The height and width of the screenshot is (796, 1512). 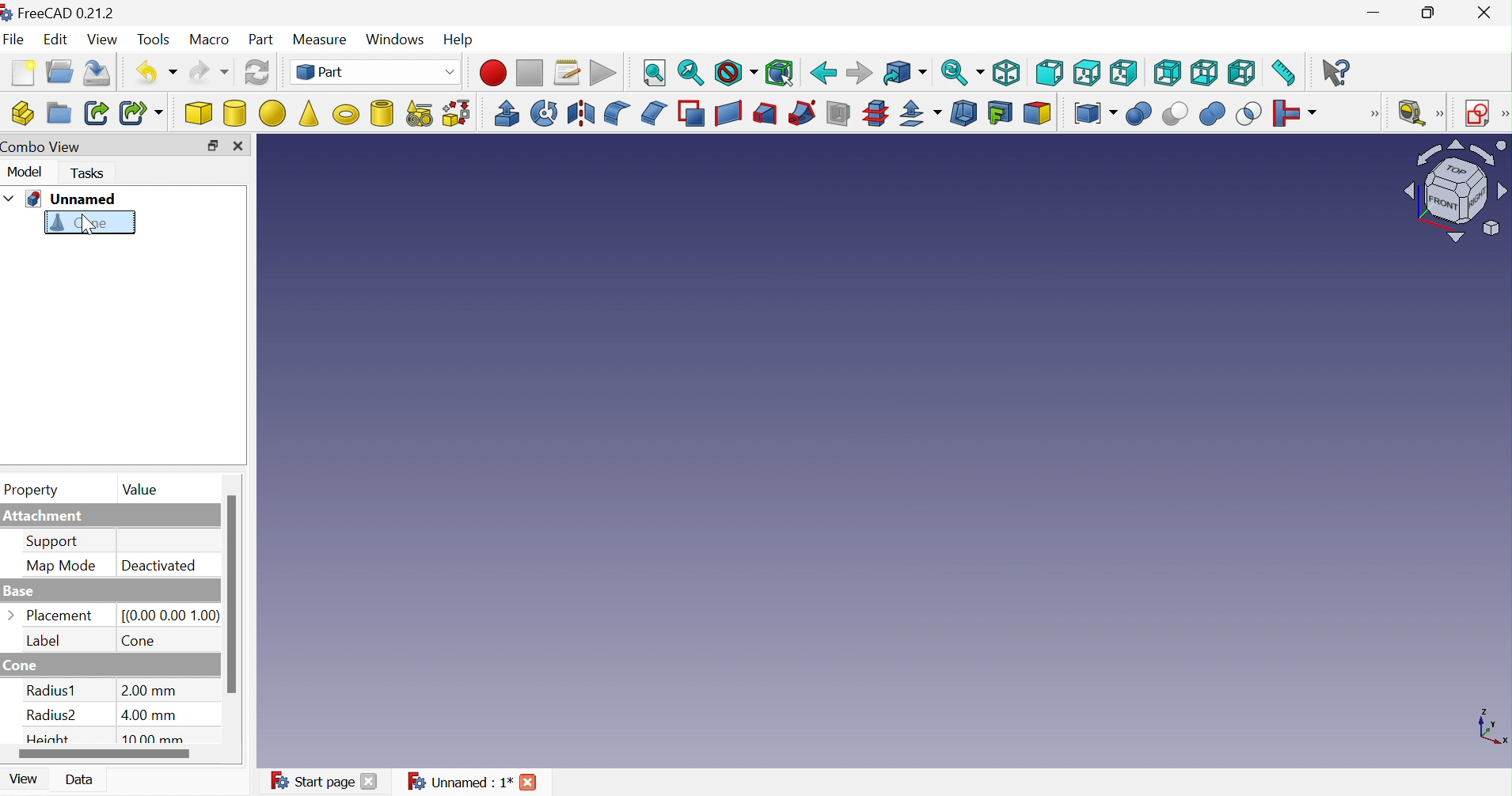 I want to click on Vieq, so click(x=104, y=40).